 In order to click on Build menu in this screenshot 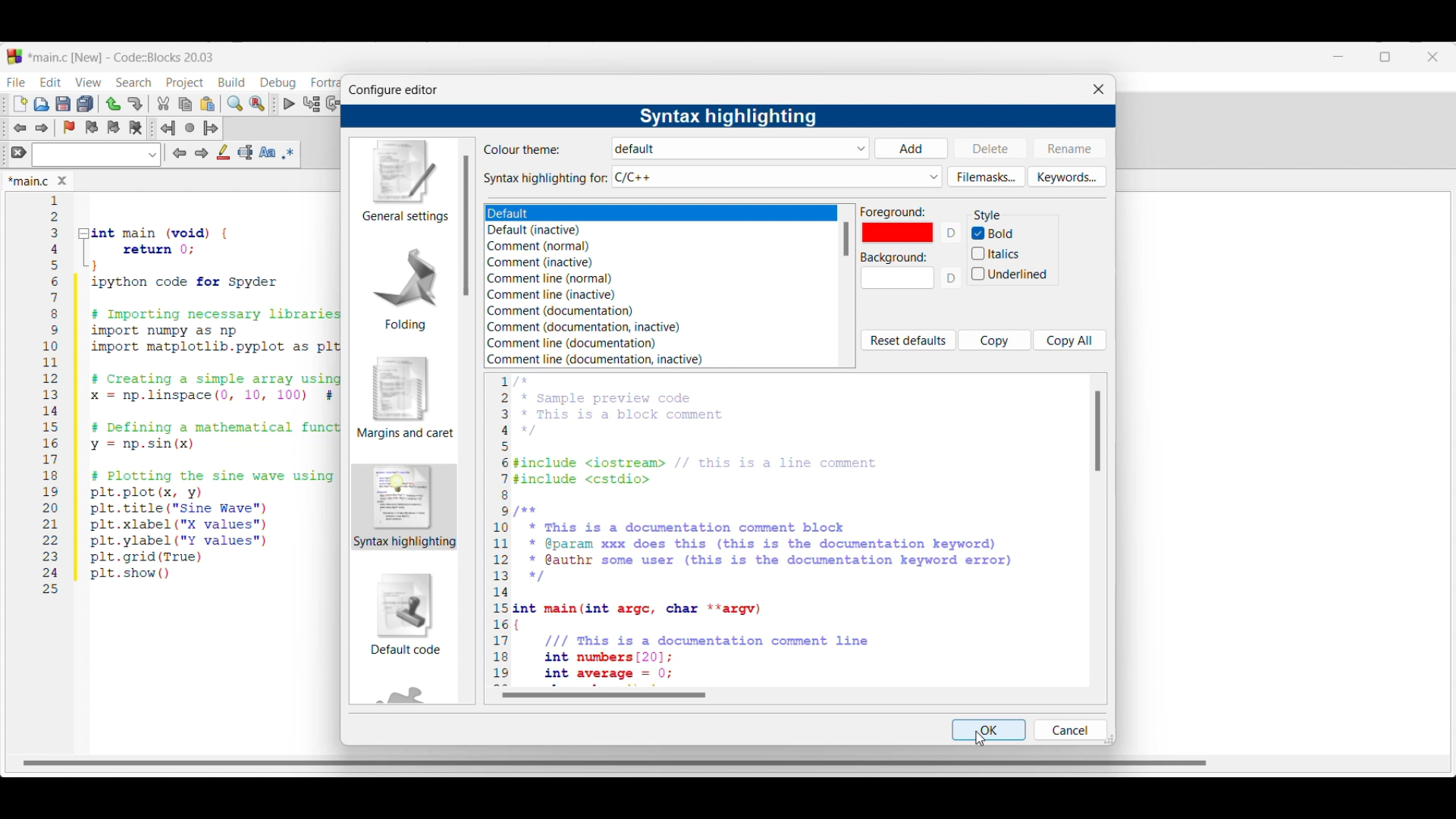, I will do `click(231, 82)`.